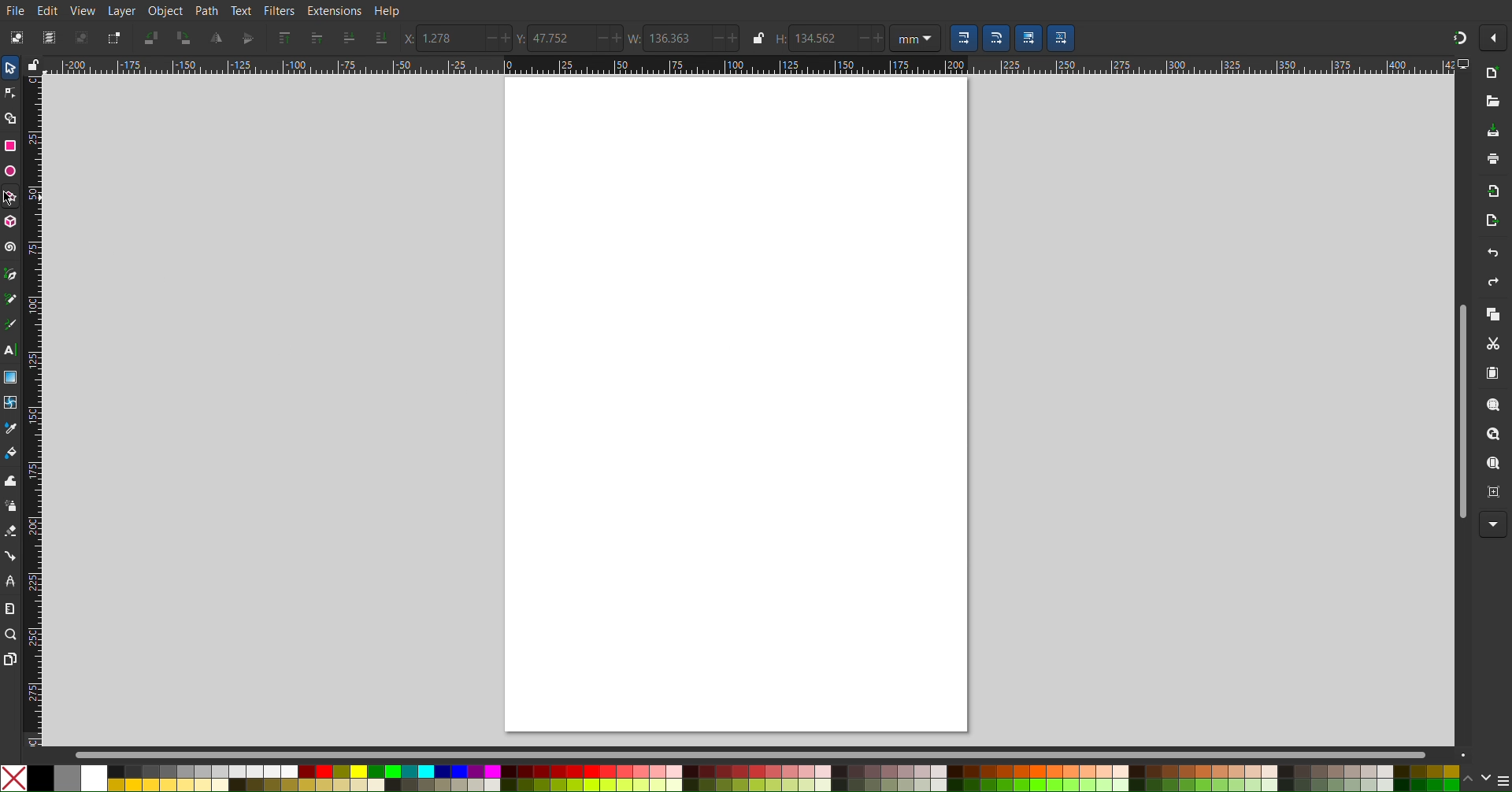 The image size is (1512, 792). I want to click on Deselect, so click(83, 39).